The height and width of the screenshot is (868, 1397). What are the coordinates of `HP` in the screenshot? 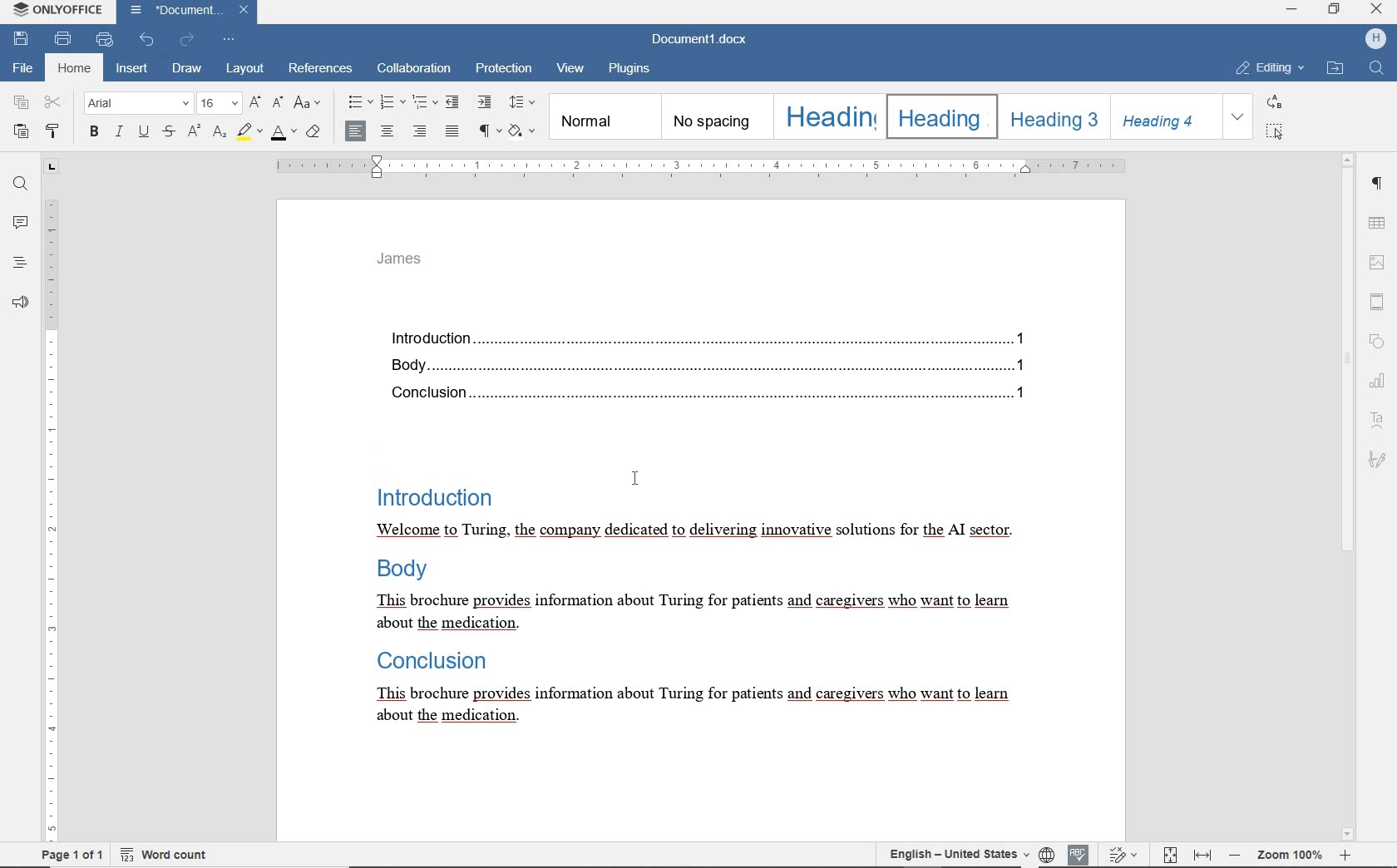 It's located at (1375, 39).